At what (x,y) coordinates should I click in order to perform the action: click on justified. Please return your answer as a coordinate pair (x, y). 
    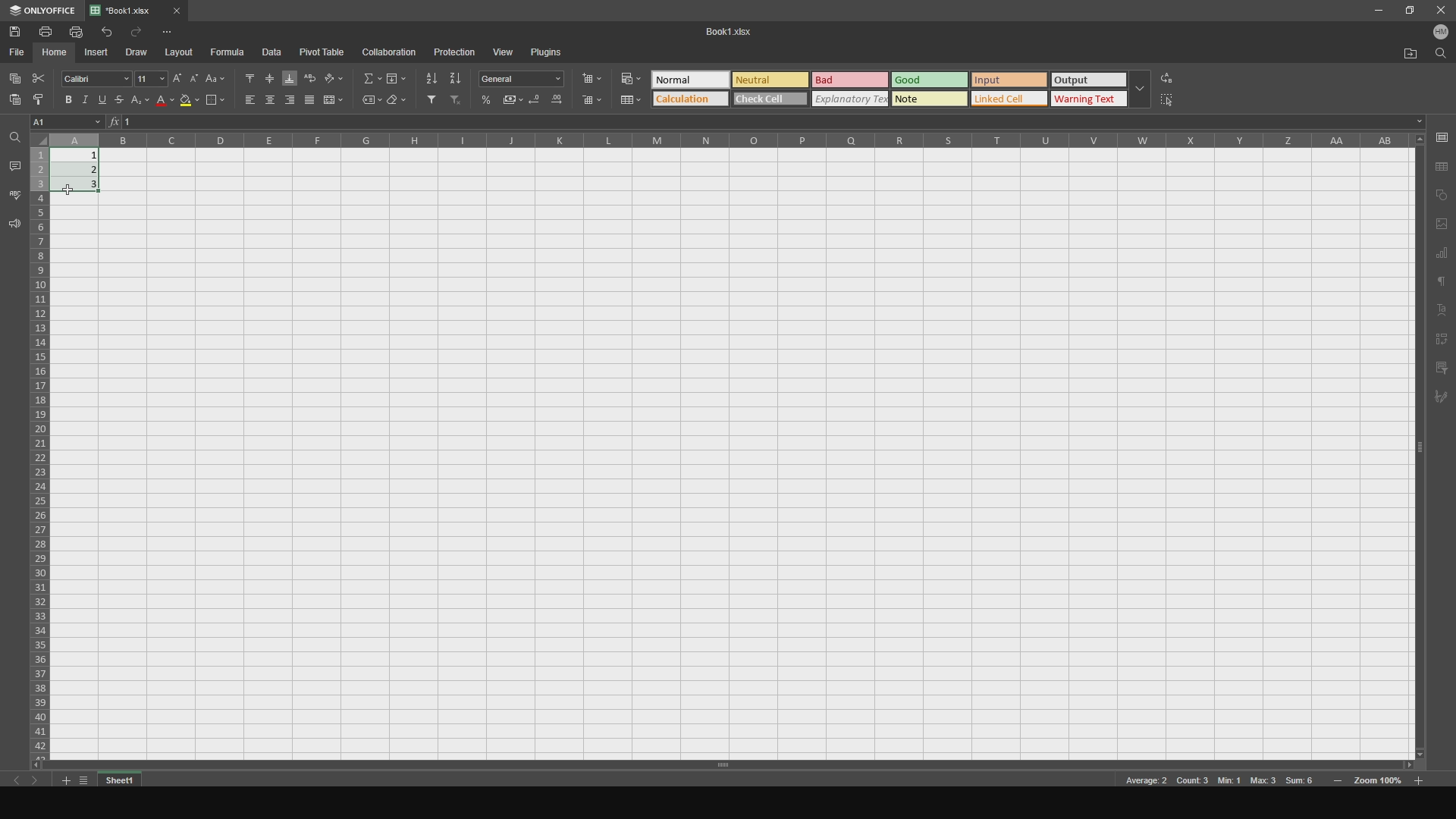
    Looking at the image, I should click on (309, 101).